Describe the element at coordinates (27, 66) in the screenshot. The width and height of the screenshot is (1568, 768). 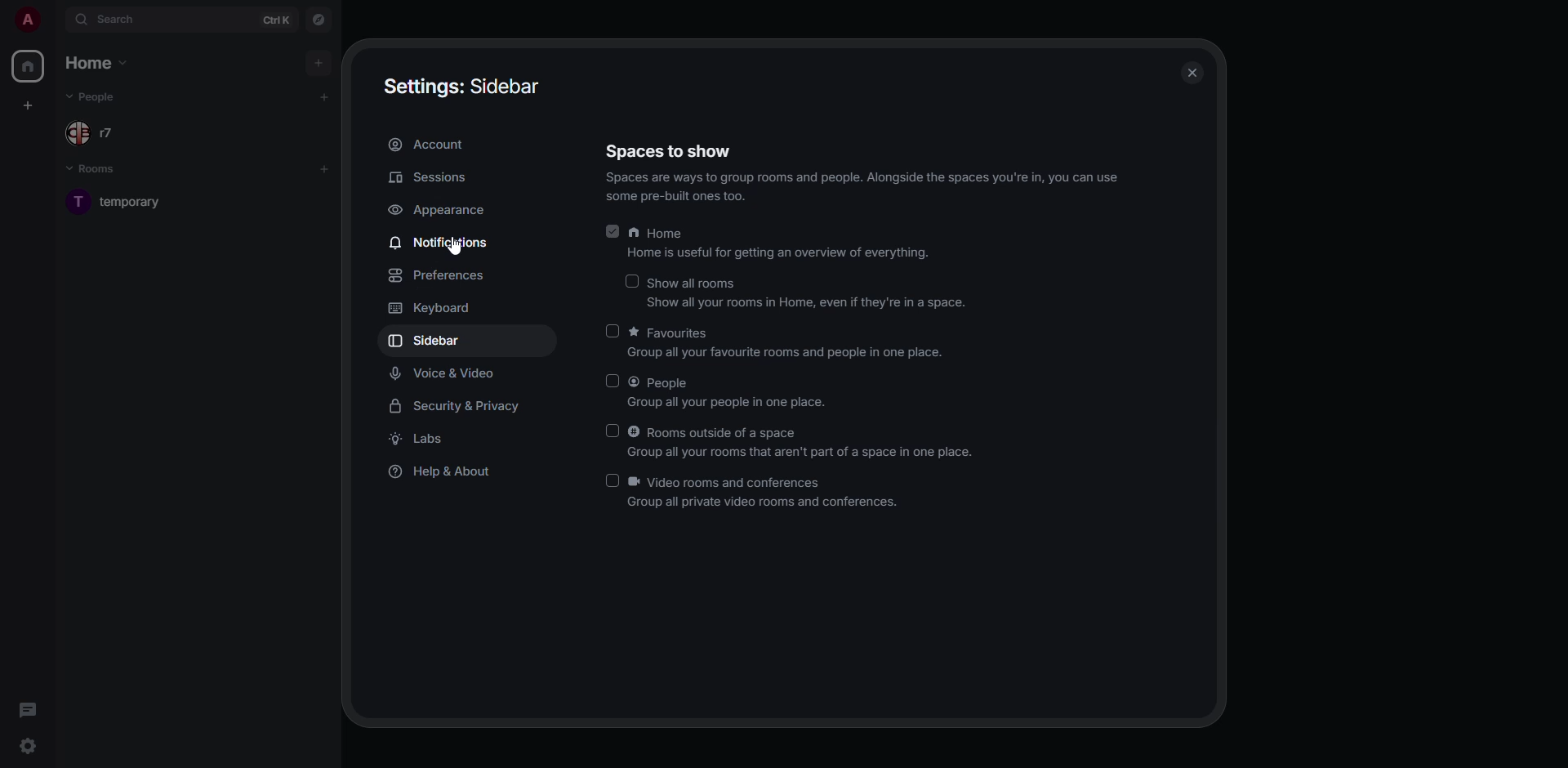
I see `home` at that location.